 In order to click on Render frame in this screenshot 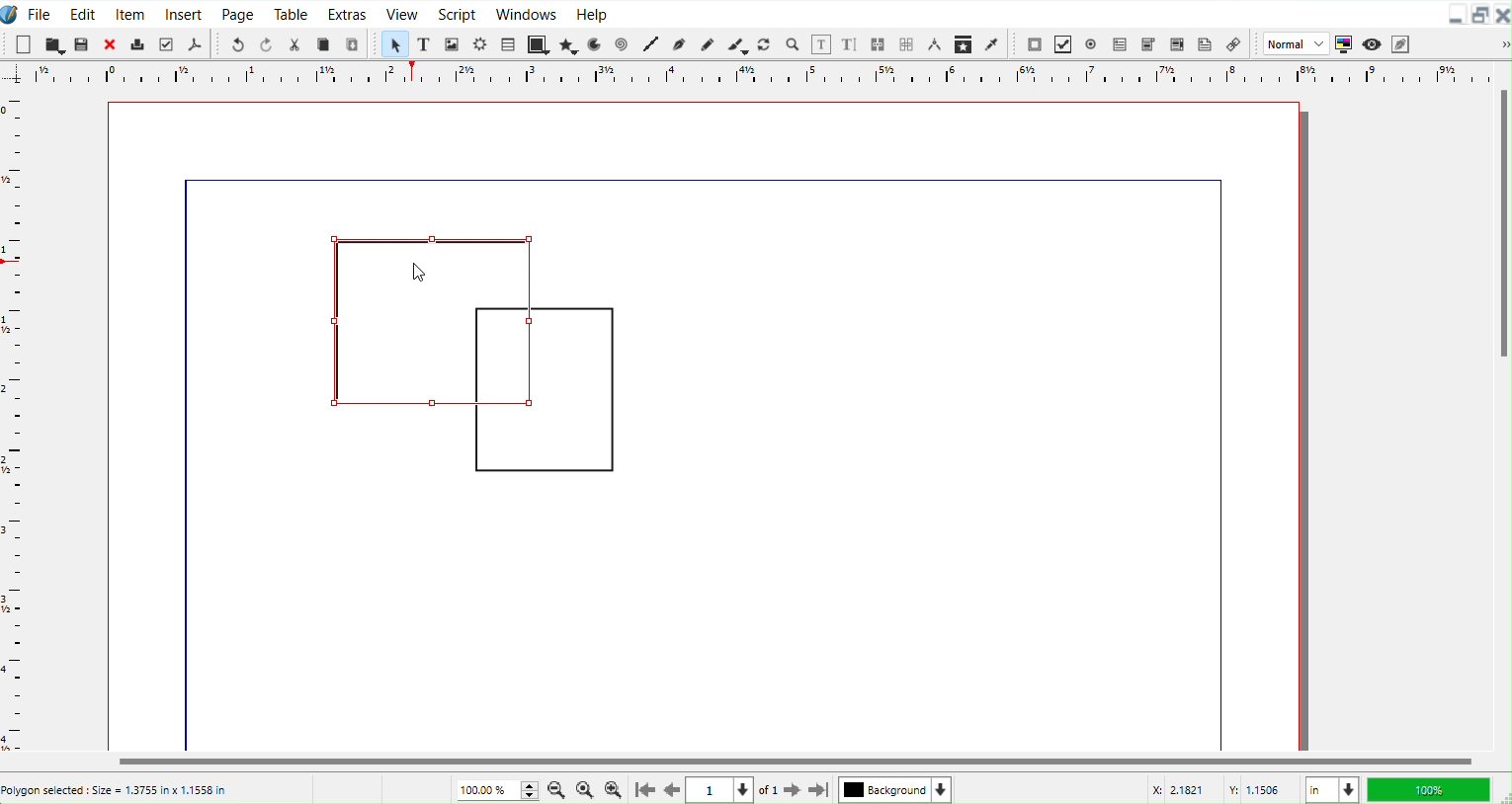, I will do `click(481, 44)`.